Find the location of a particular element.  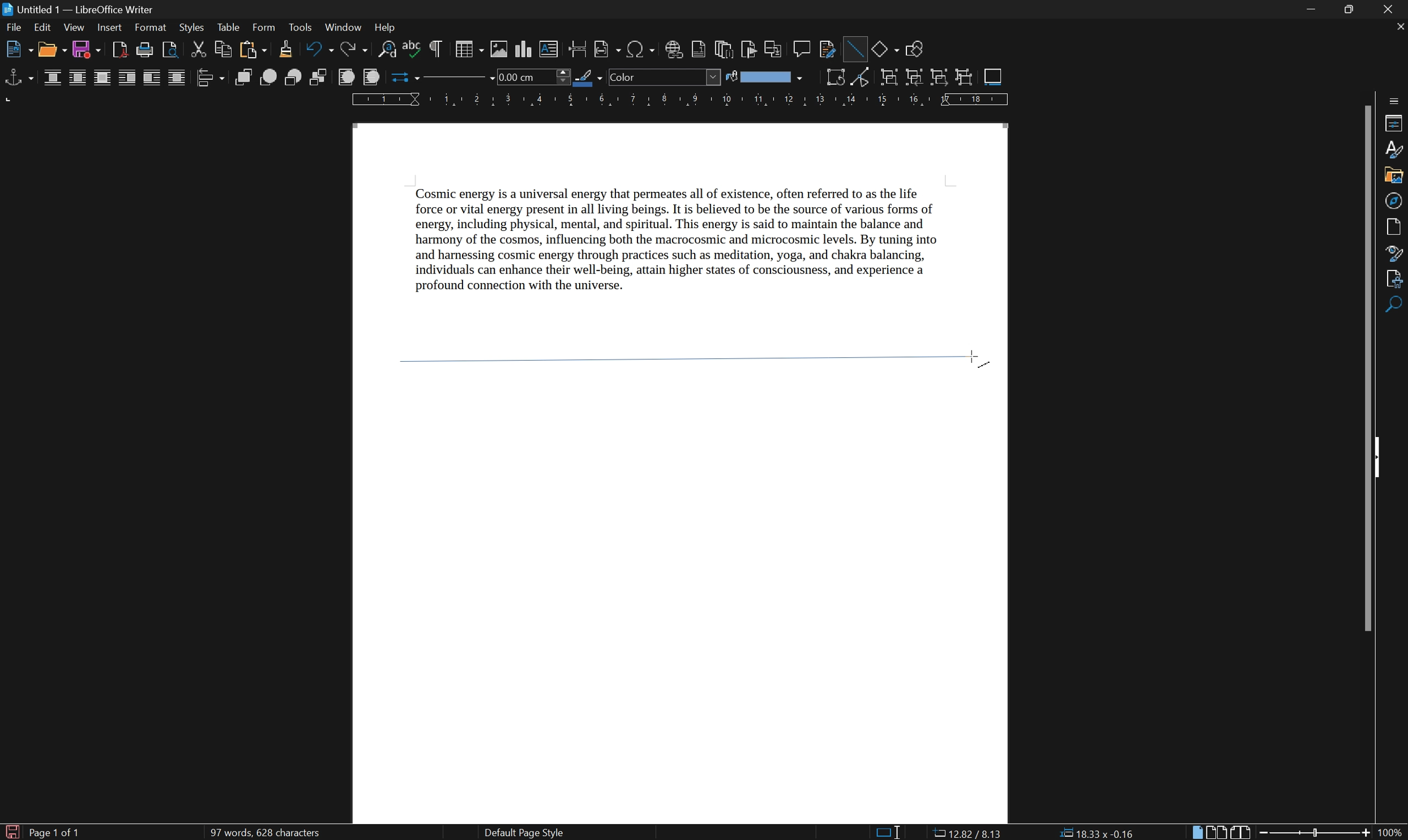

format is located at coordinates (151, 28).